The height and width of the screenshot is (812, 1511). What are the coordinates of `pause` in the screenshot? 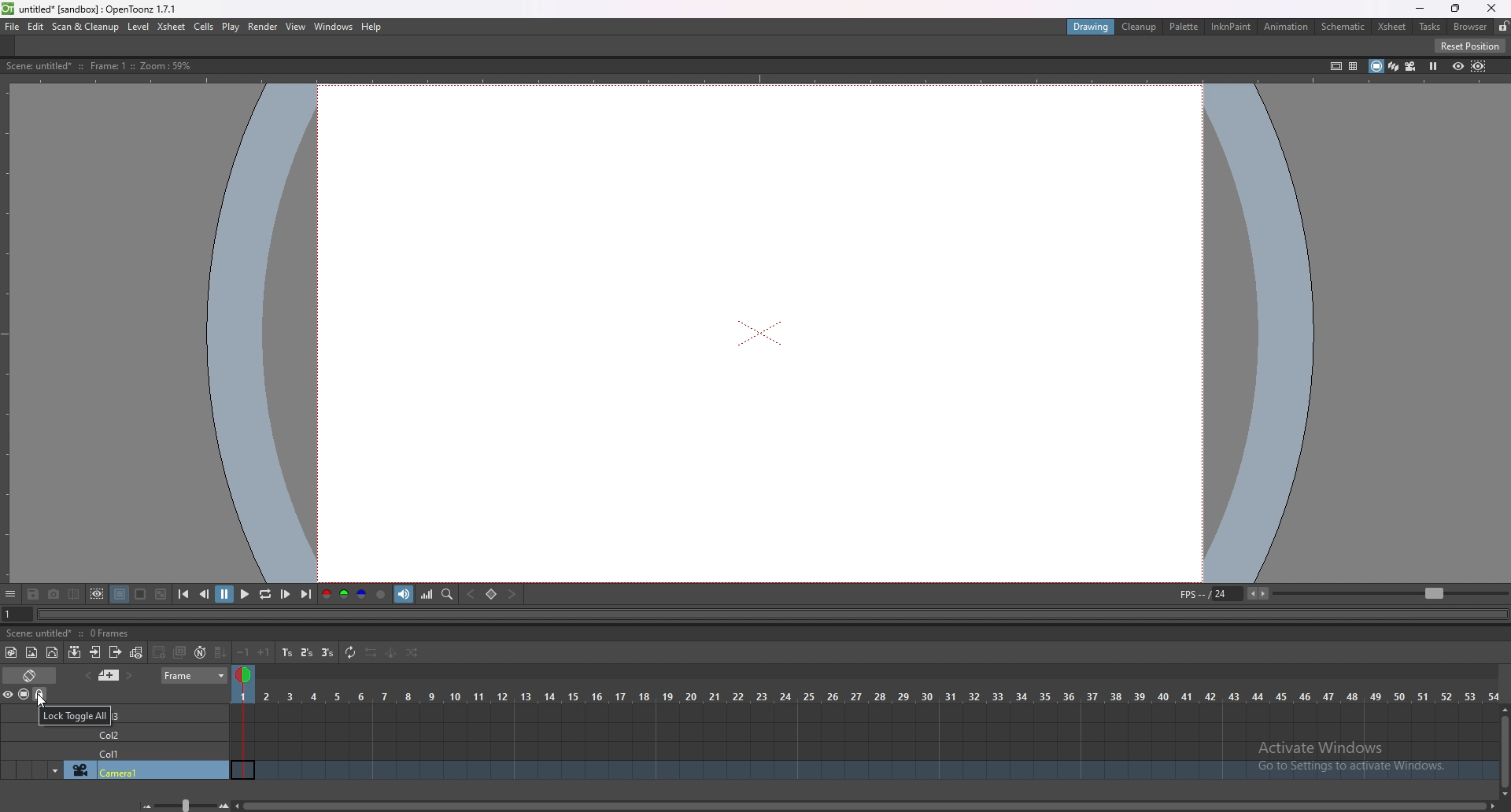 It's located at (225, 594).